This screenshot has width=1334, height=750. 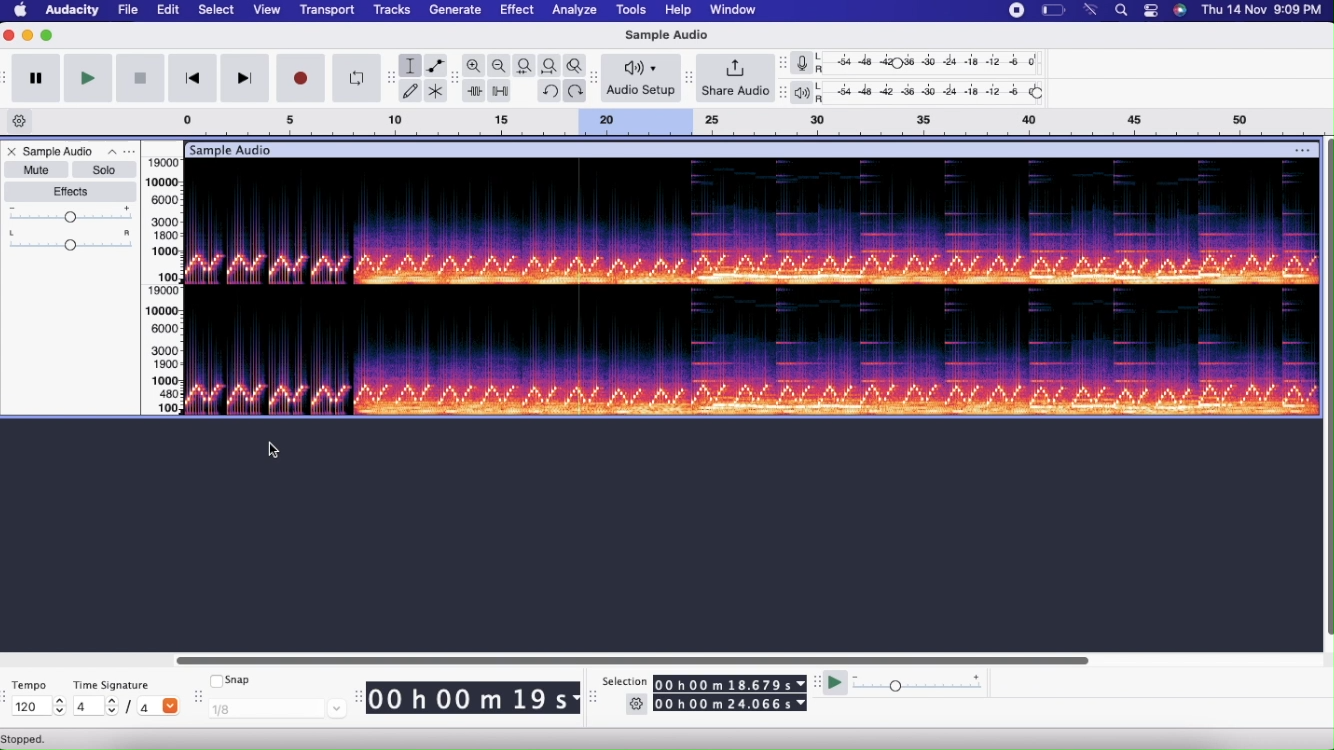 What do you see at coordinates (920, 680) in the screenshot?
I see `Playback Speed` at bounding box center [920, 680].